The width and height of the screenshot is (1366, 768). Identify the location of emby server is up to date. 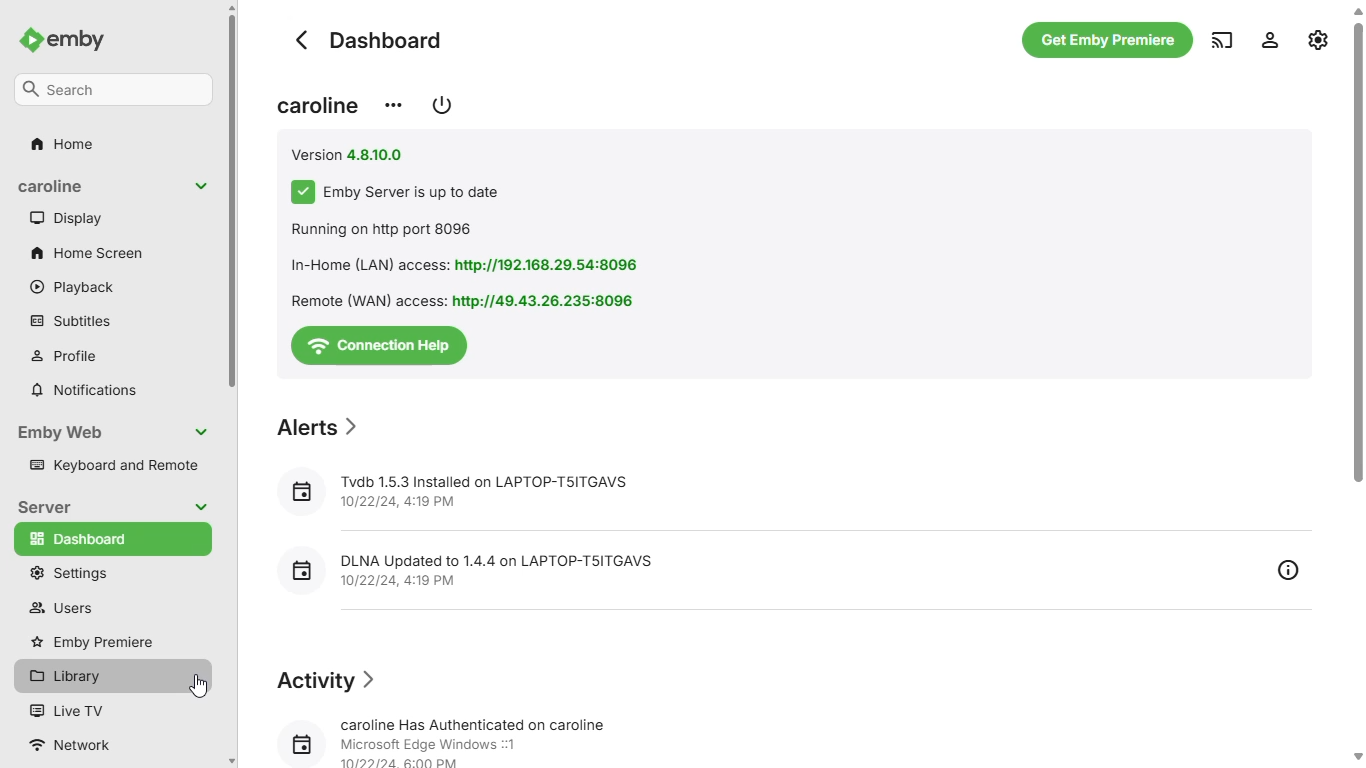
(412, 193).